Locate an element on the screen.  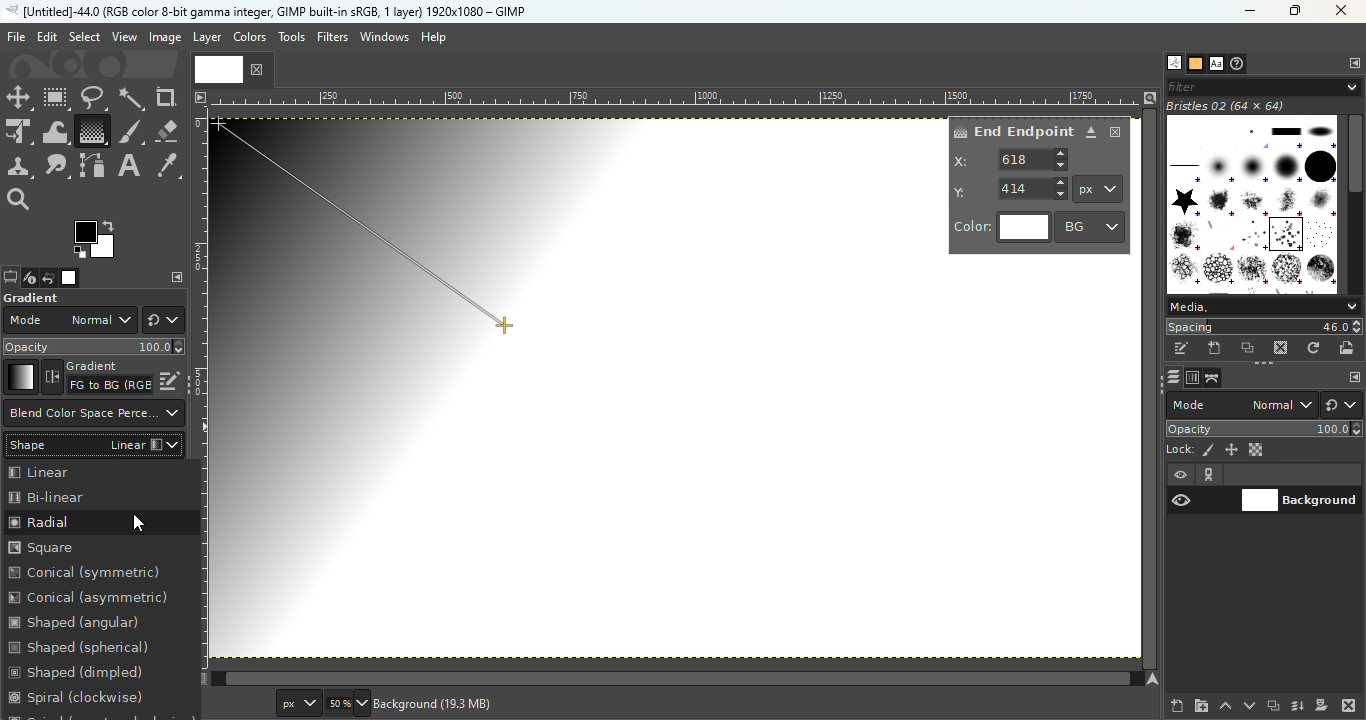
Colors is located at coordinates (248, 36).